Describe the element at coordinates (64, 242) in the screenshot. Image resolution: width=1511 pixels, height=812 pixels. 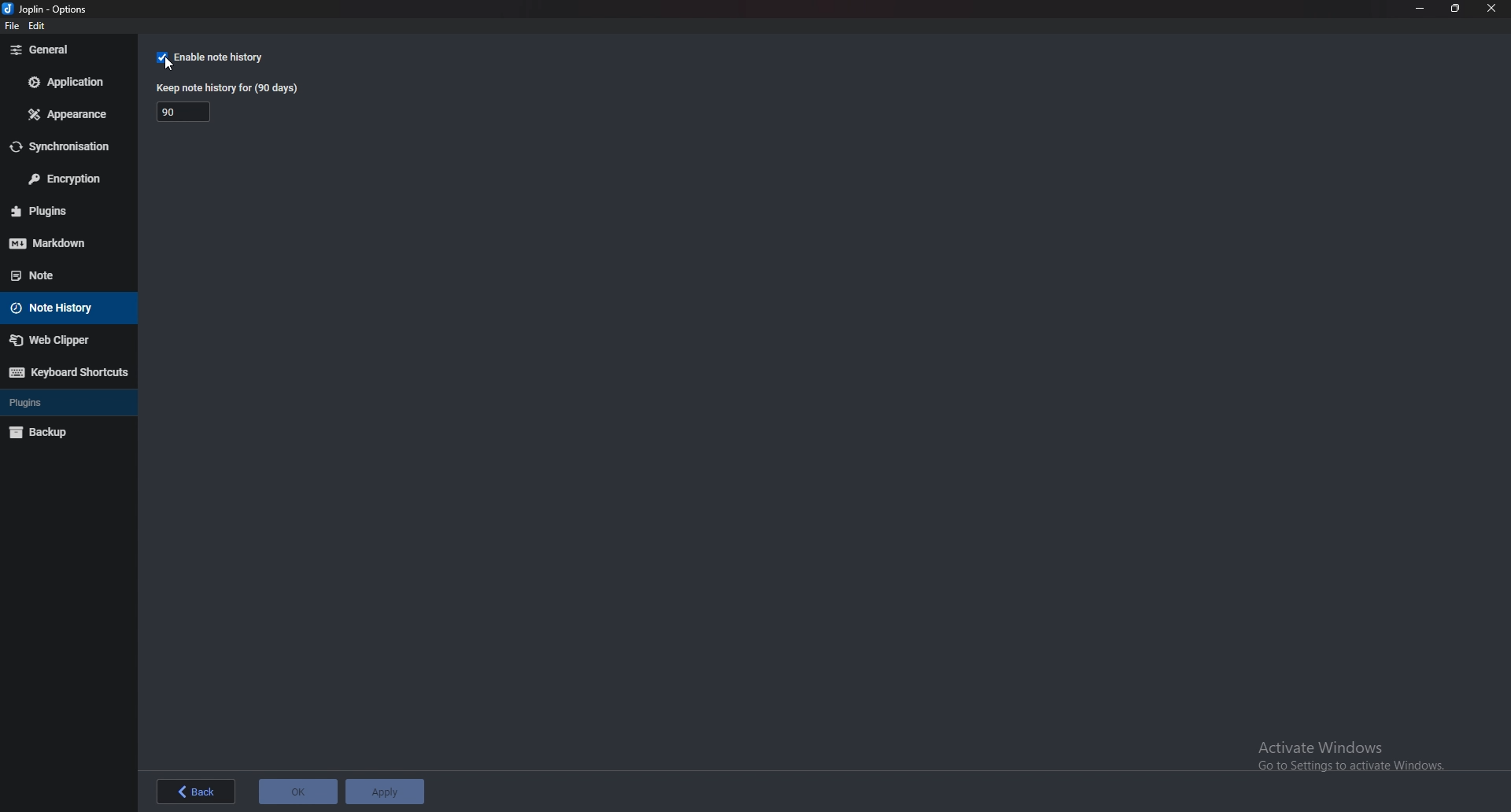
I see `Mark down` at that location.